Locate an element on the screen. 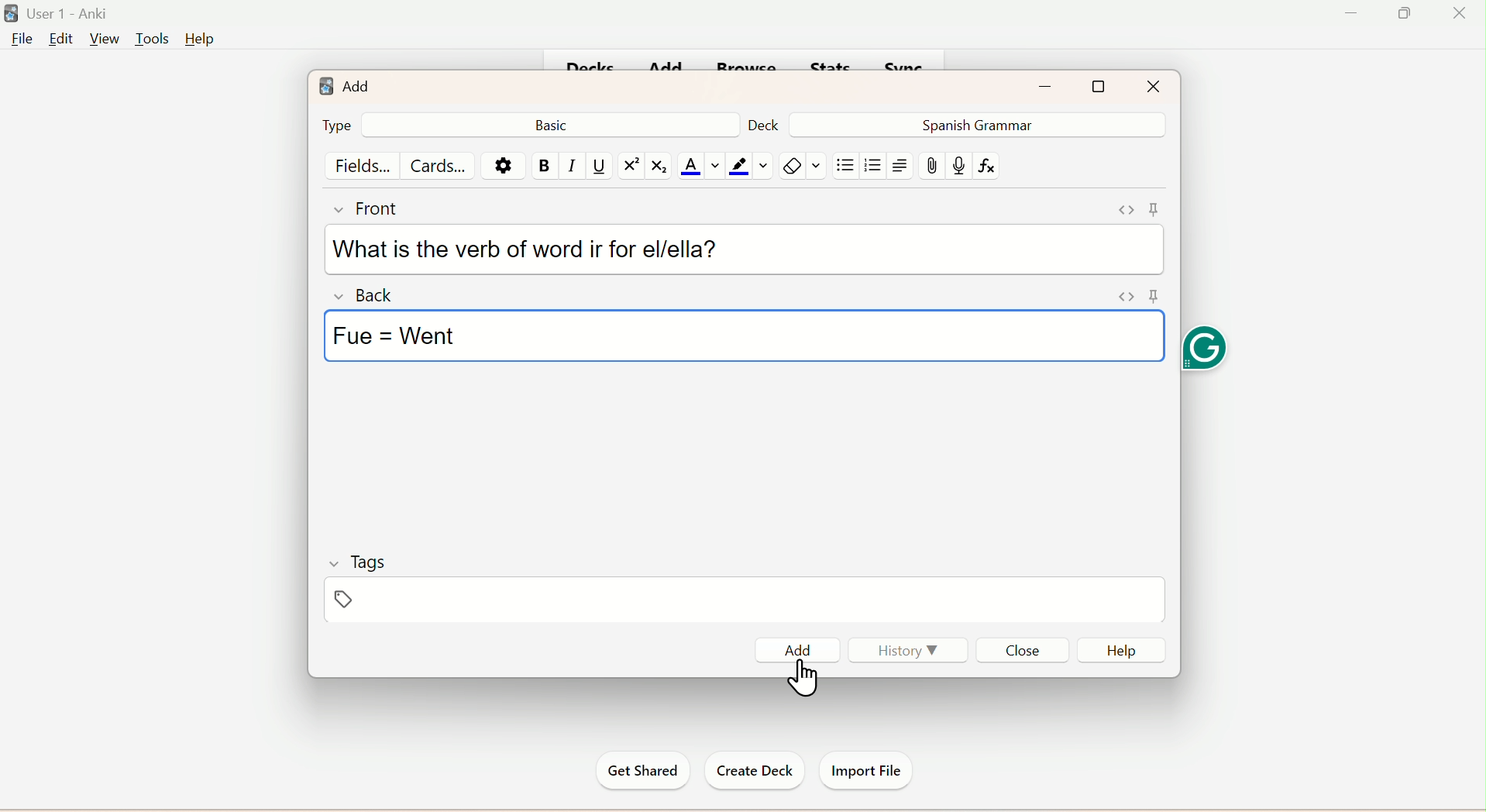  Bold is located at coordinates (545, 166).